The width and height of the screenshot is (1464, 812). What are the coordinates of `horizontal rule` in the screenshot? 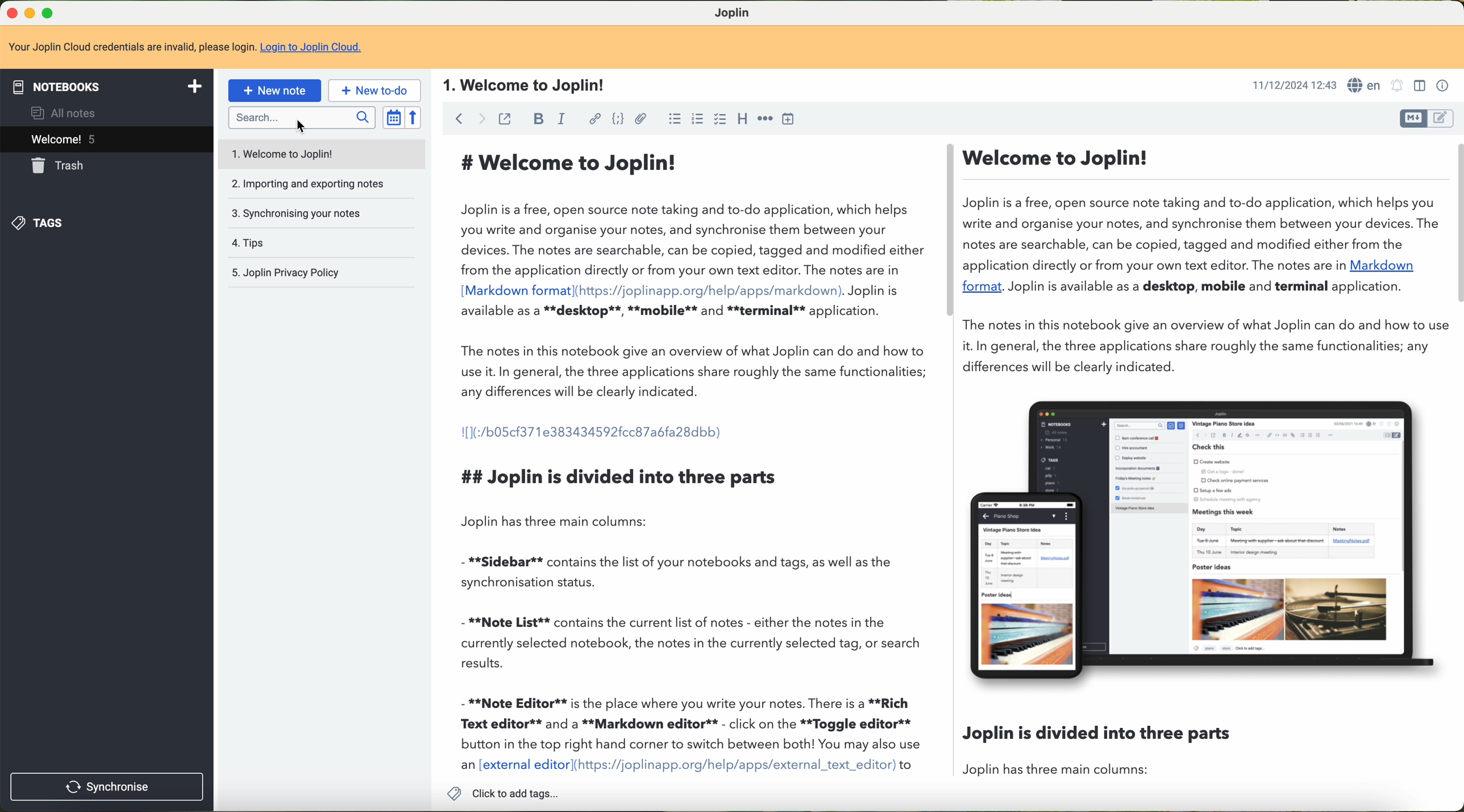 It's located at (764, 119).